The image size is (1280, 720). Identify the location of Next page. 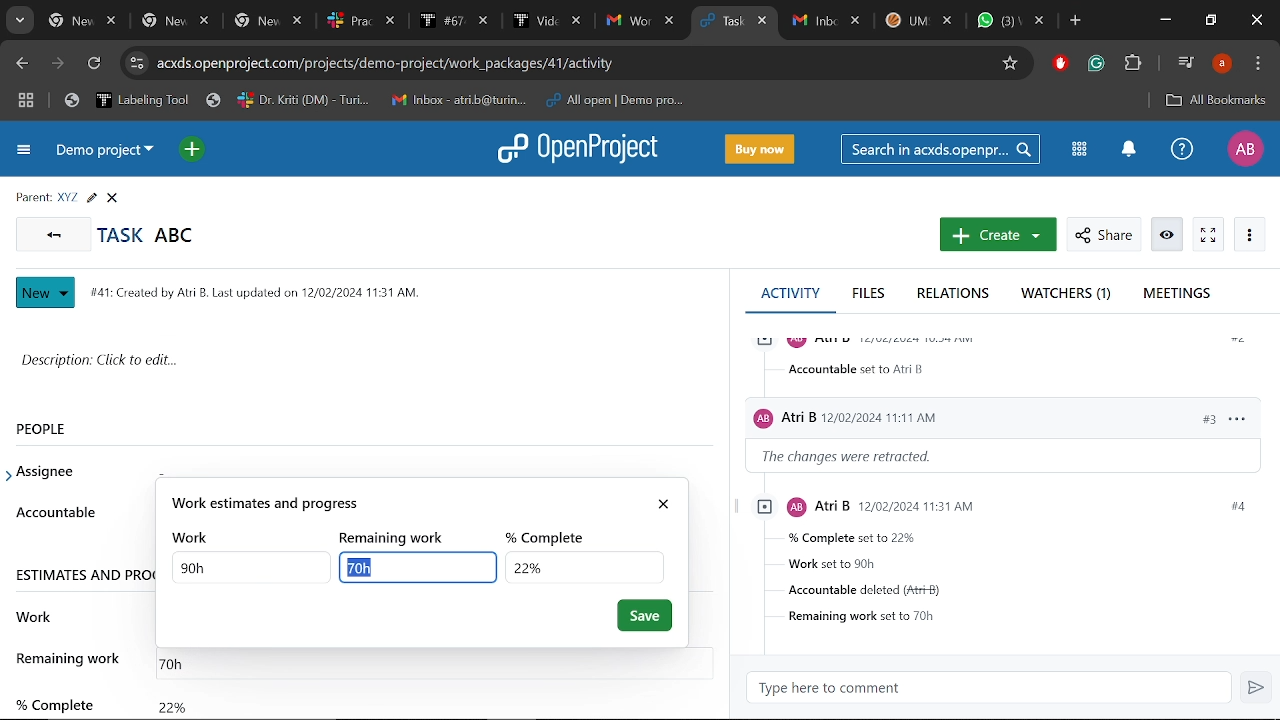
(61, 65).